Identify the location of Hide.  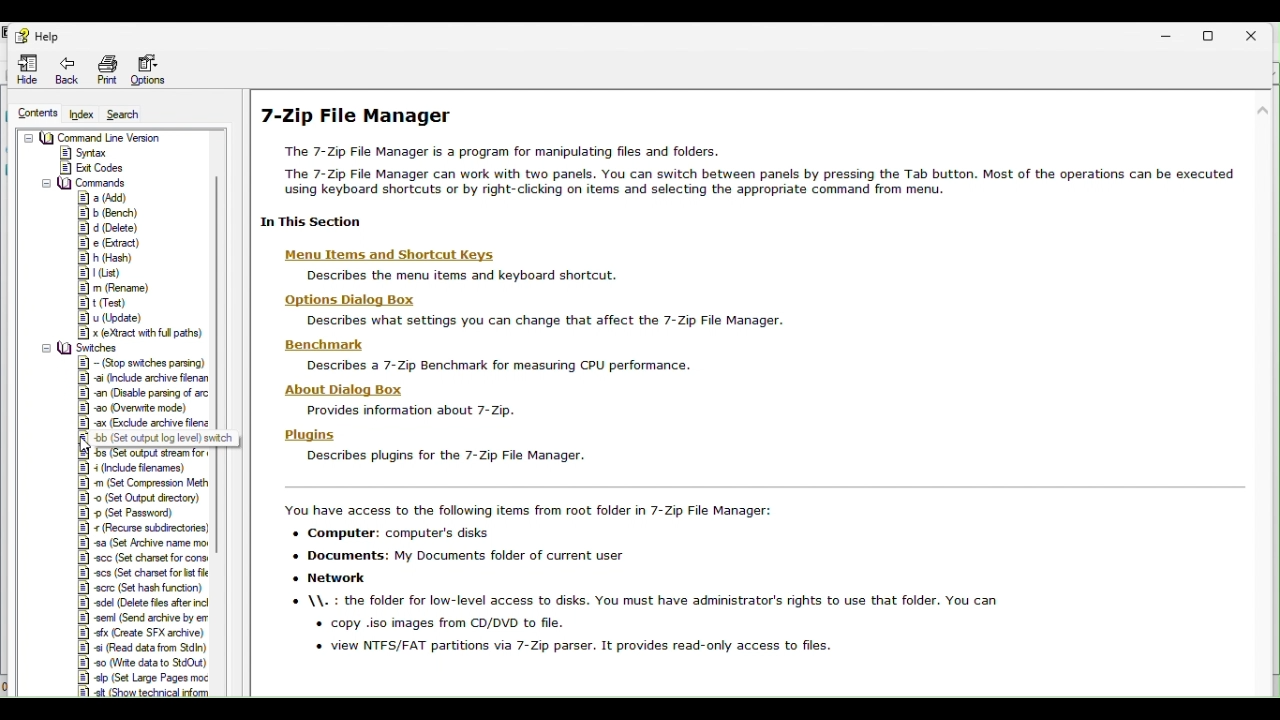
(23, 70).